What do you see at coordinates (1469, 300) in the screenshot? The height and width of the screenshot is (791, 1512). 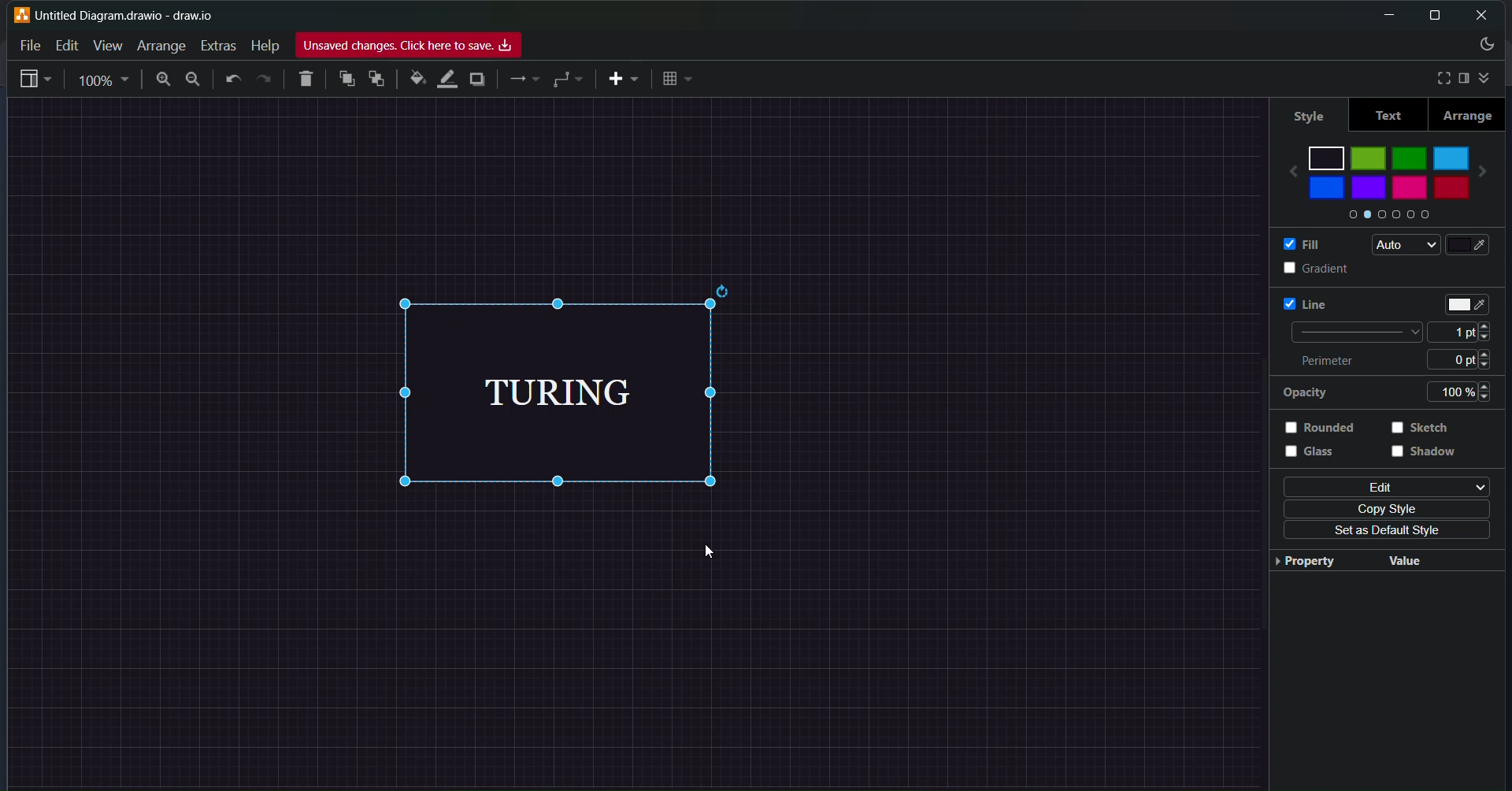 I see `text color` at bounding box center [1469, 300].